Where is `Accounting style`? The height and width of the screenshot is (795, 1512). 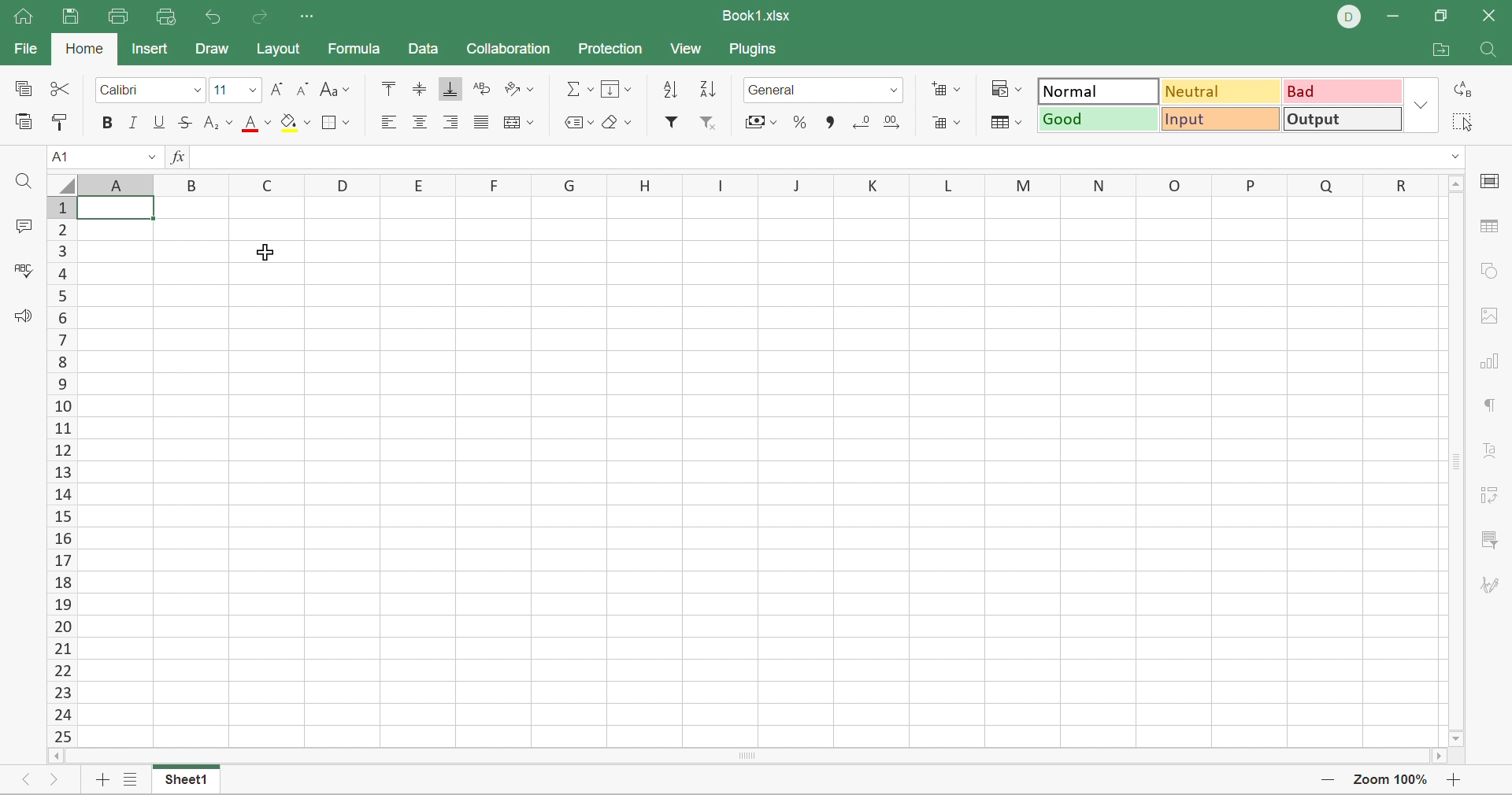 Accounting style is located at coordinates (758, 123).